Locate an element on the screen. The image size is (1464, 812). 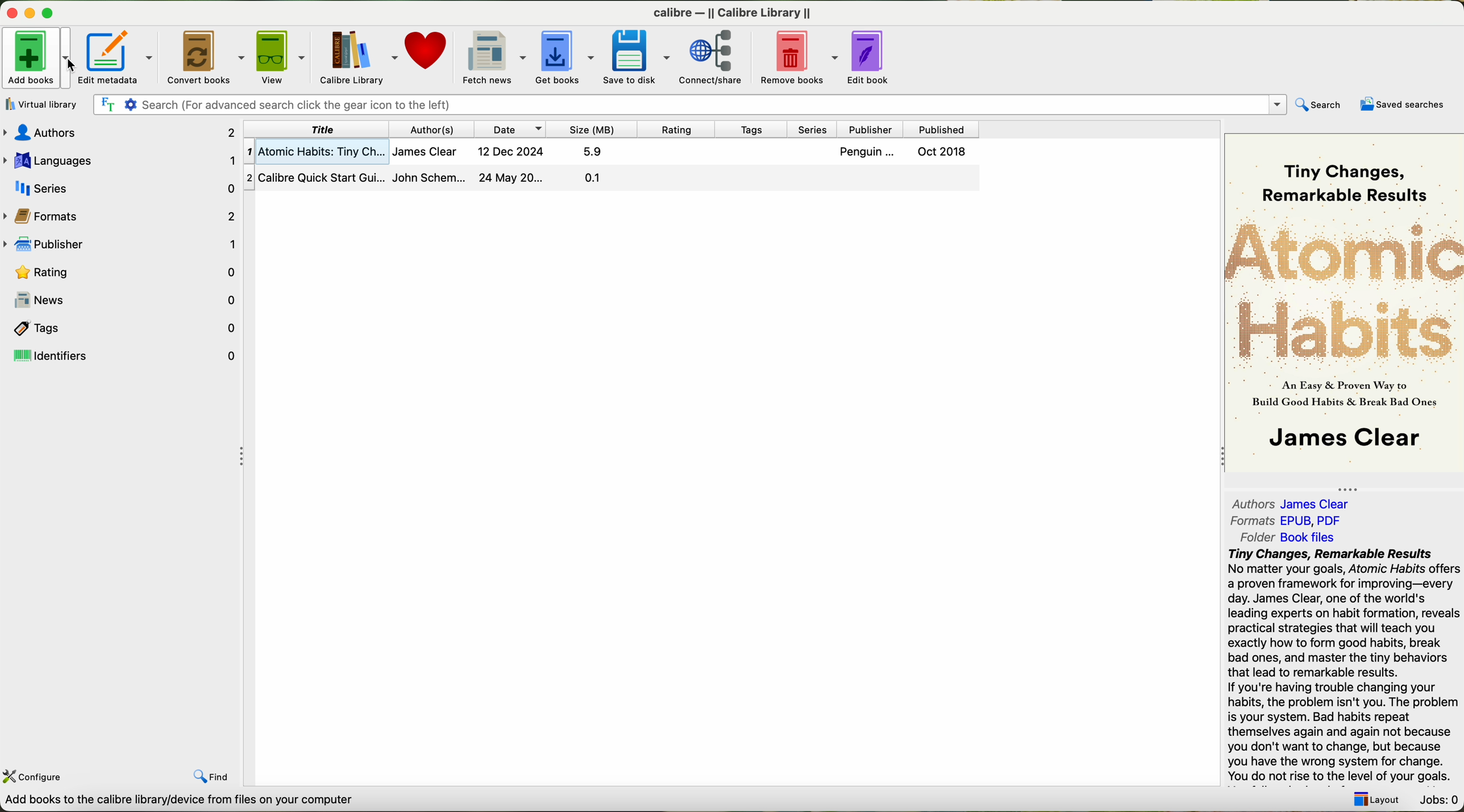
calibre library is located at coordinates (356, 56).